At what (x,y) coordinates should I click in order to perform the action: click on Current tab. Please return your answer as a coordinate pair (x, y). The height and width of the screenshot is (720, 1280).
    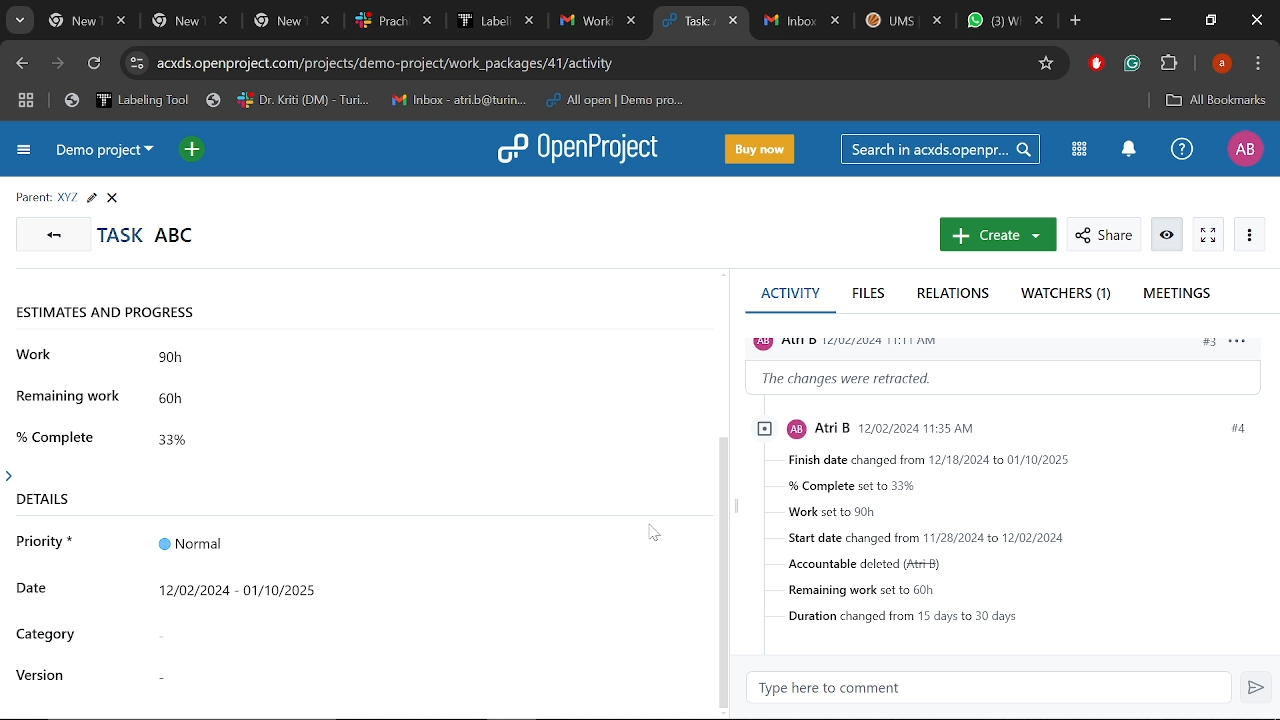
    Looking at the image, I should click on (690, 22).